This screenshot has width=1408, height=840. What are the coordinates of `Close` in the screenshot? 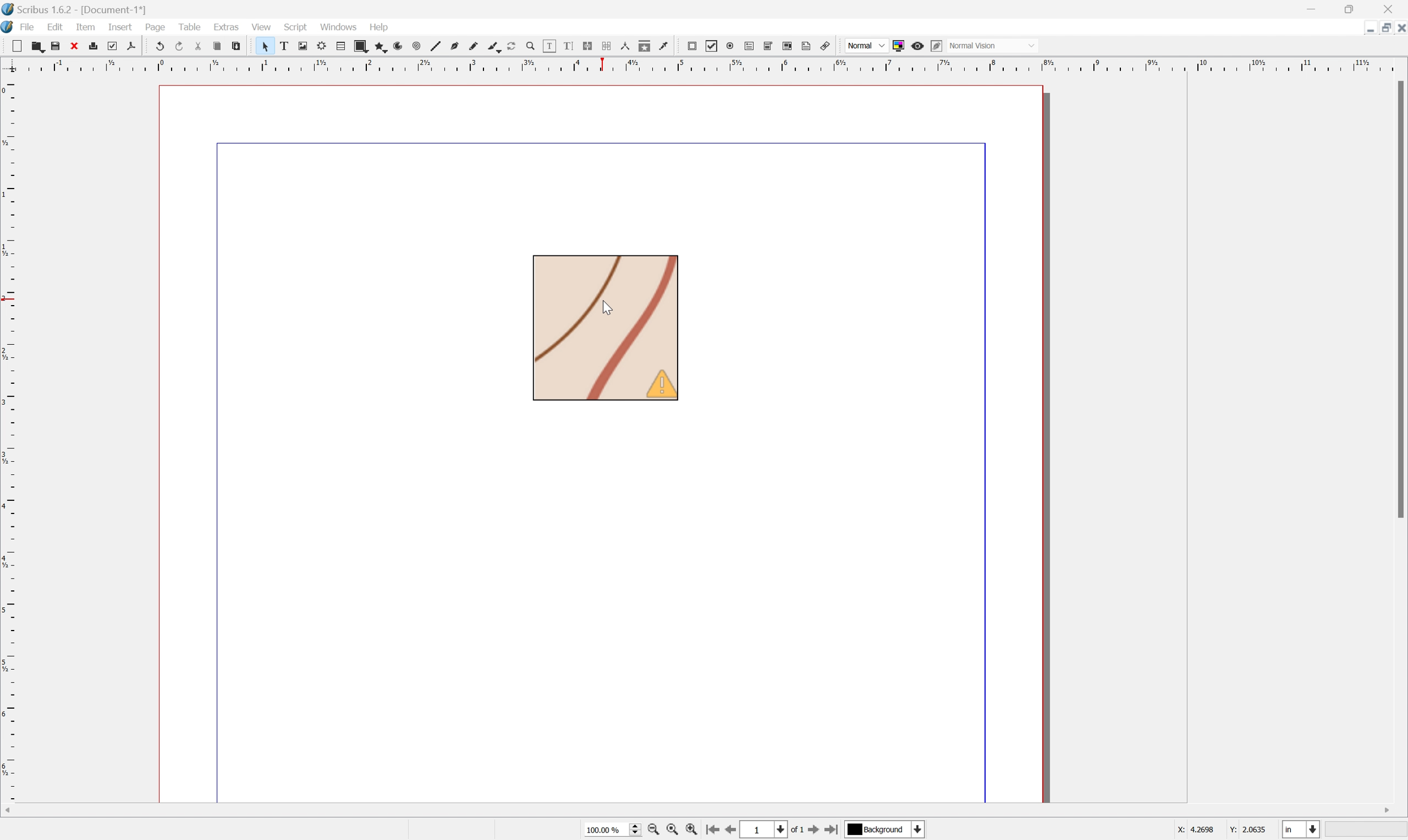 It's located at (1399, 28).